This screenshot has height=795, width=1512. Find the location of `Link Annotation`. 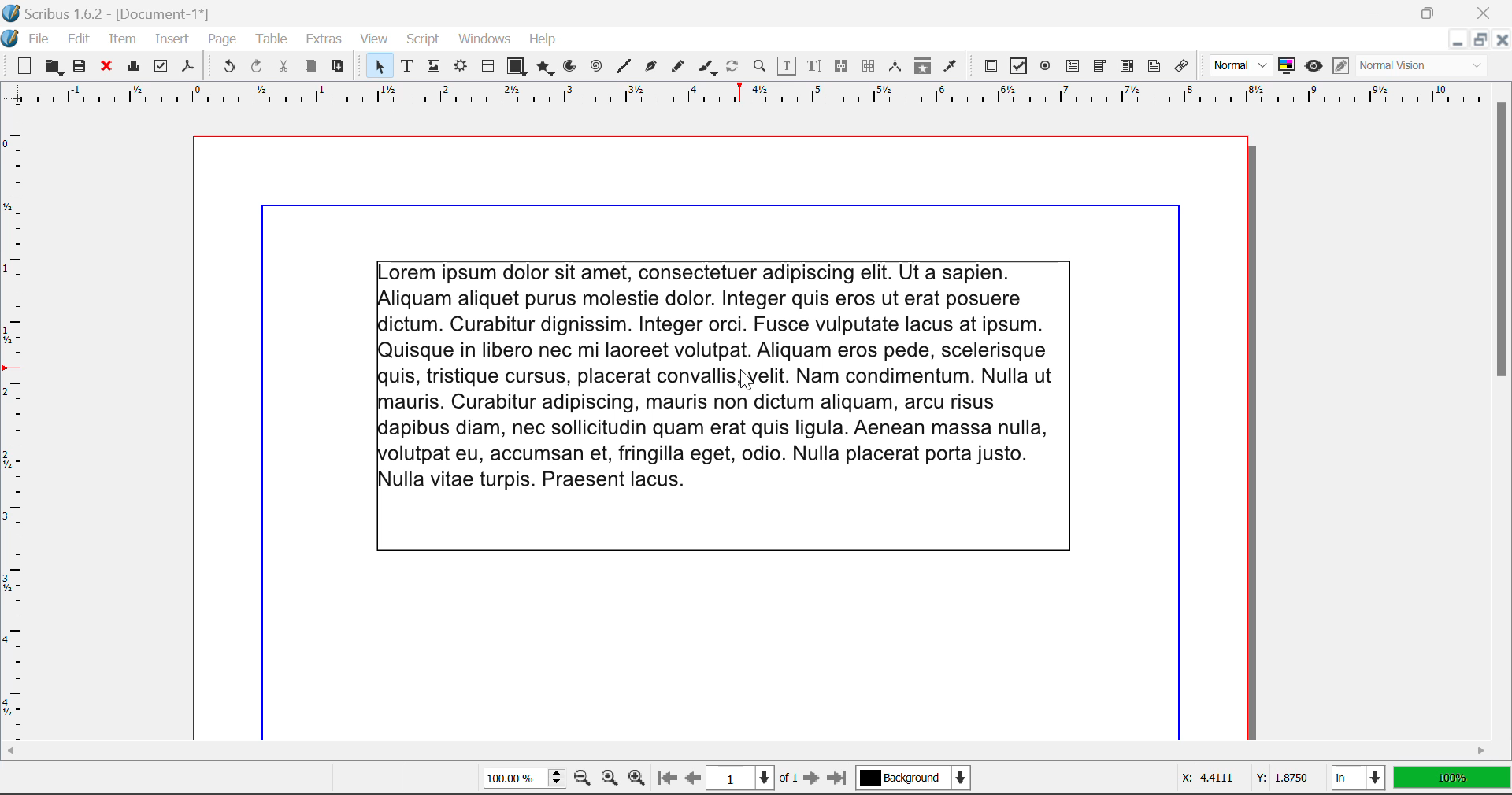

Link Annotation is located at coordinates (1185, 67).